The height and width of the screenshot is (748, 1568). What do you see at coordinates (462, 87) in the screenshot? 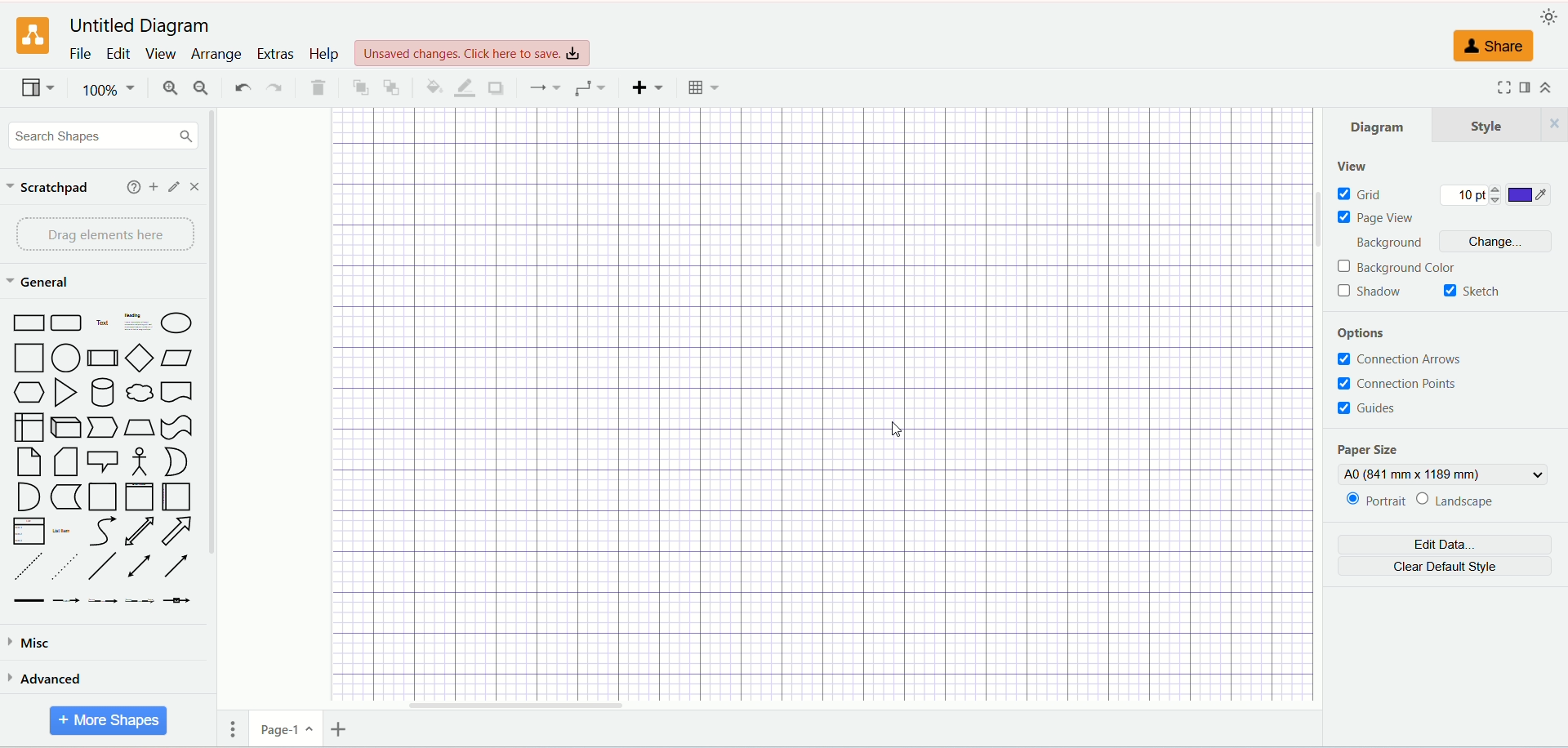
I see `line color` at bounding box center [462, 87].